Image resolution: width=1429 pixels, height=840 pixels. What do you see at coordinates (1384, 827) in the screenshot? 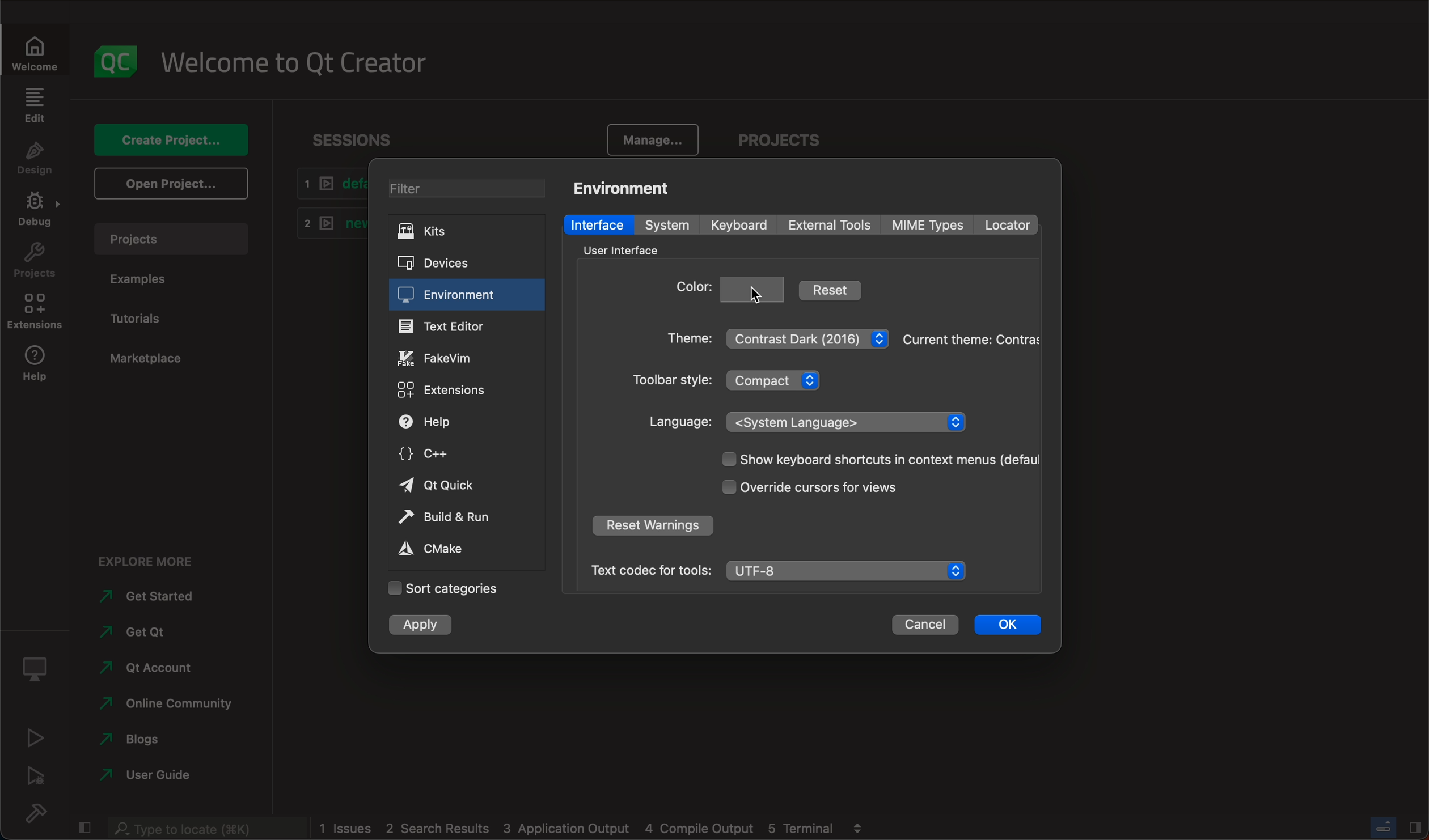
I see `Progress bar` at bounding box center [1384, 827].